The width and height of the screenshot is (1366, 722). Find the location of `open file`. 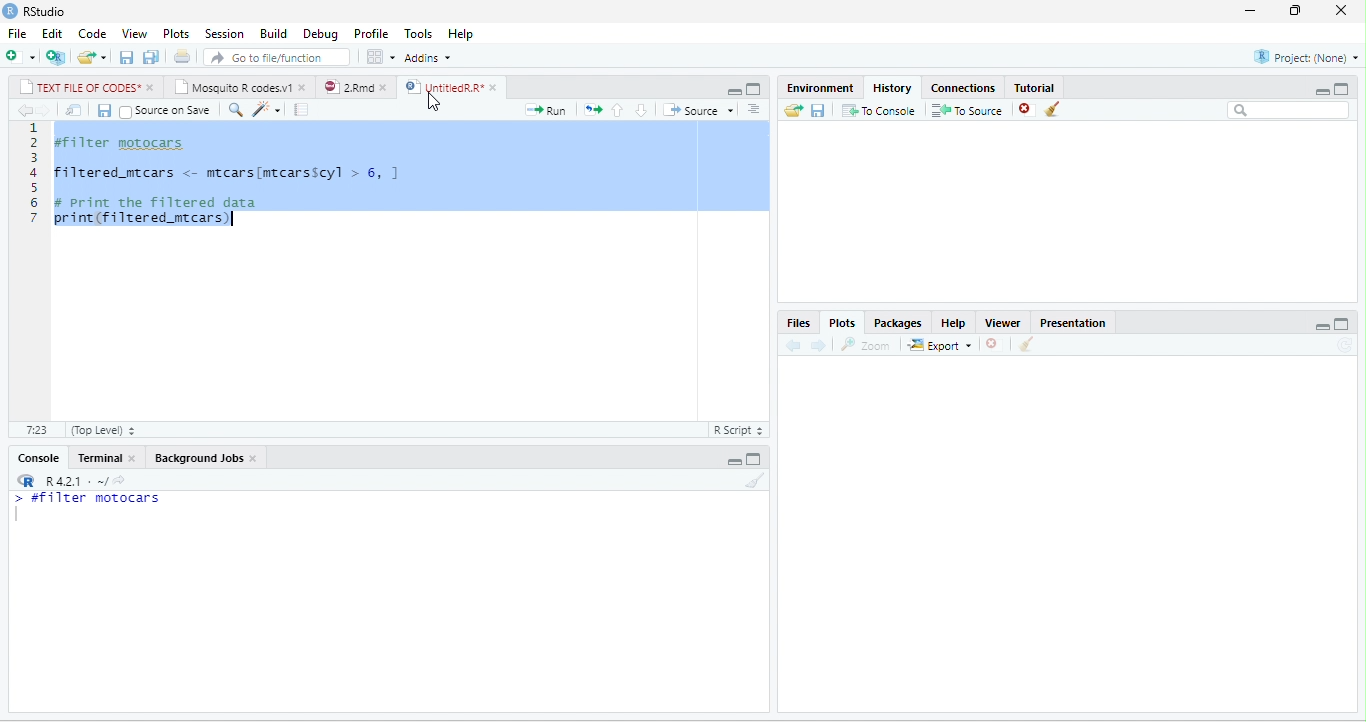

open file is located at coordinates (92, 58).